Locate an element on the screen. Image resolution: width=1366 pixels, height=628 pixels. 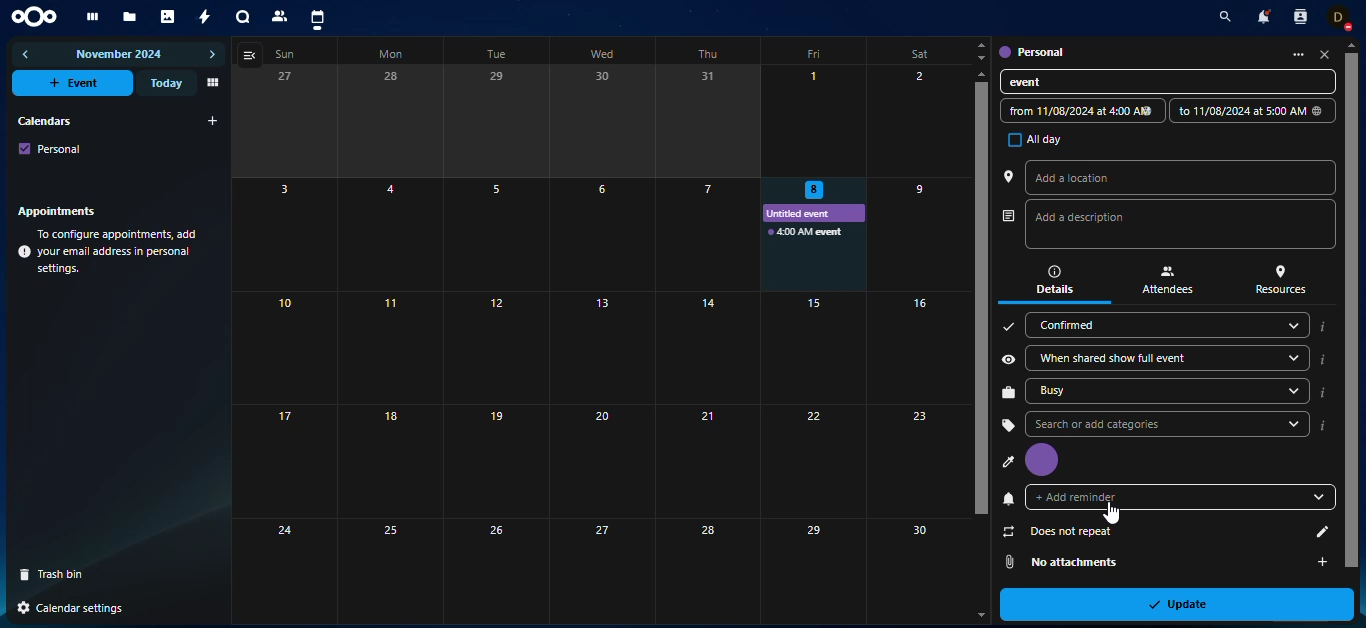
drop down is located at coordinates (1289, 391).